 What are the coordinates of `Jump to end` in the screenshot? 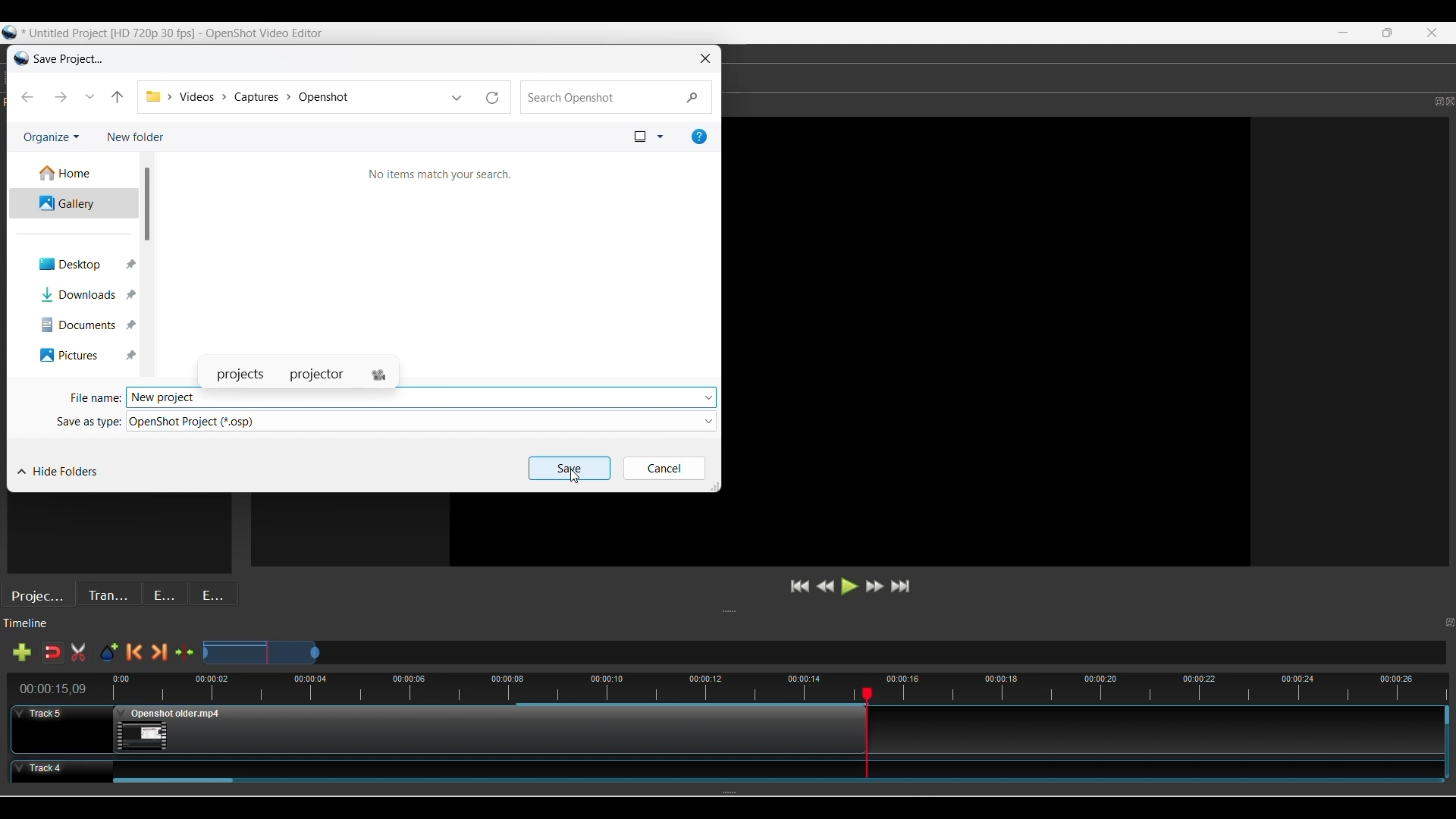 It's located at (900, 586).